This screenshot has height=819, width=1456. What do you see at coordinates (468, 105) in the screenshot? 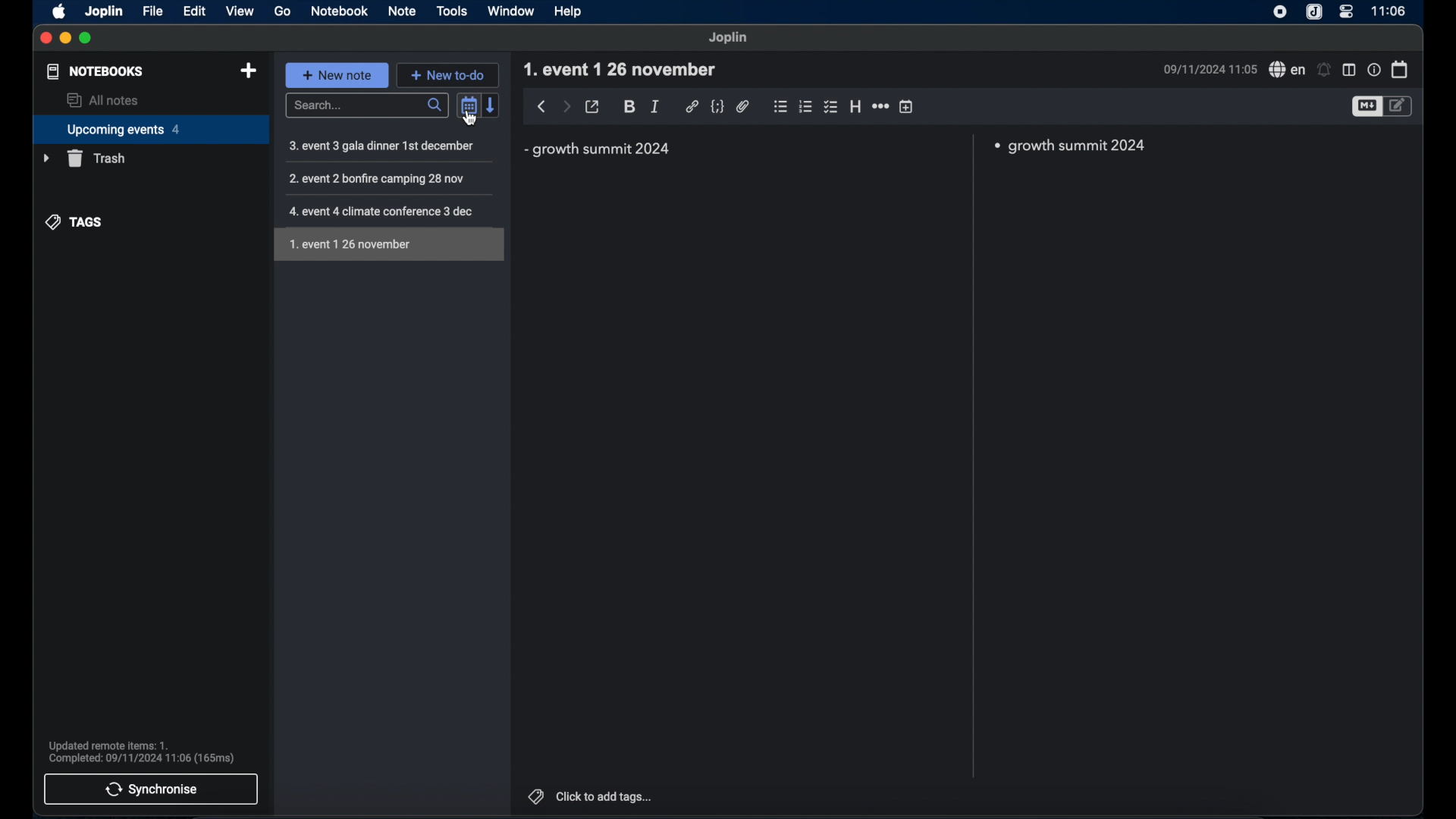
I see `toggle sort order field ` at bounding box center [468, 105].